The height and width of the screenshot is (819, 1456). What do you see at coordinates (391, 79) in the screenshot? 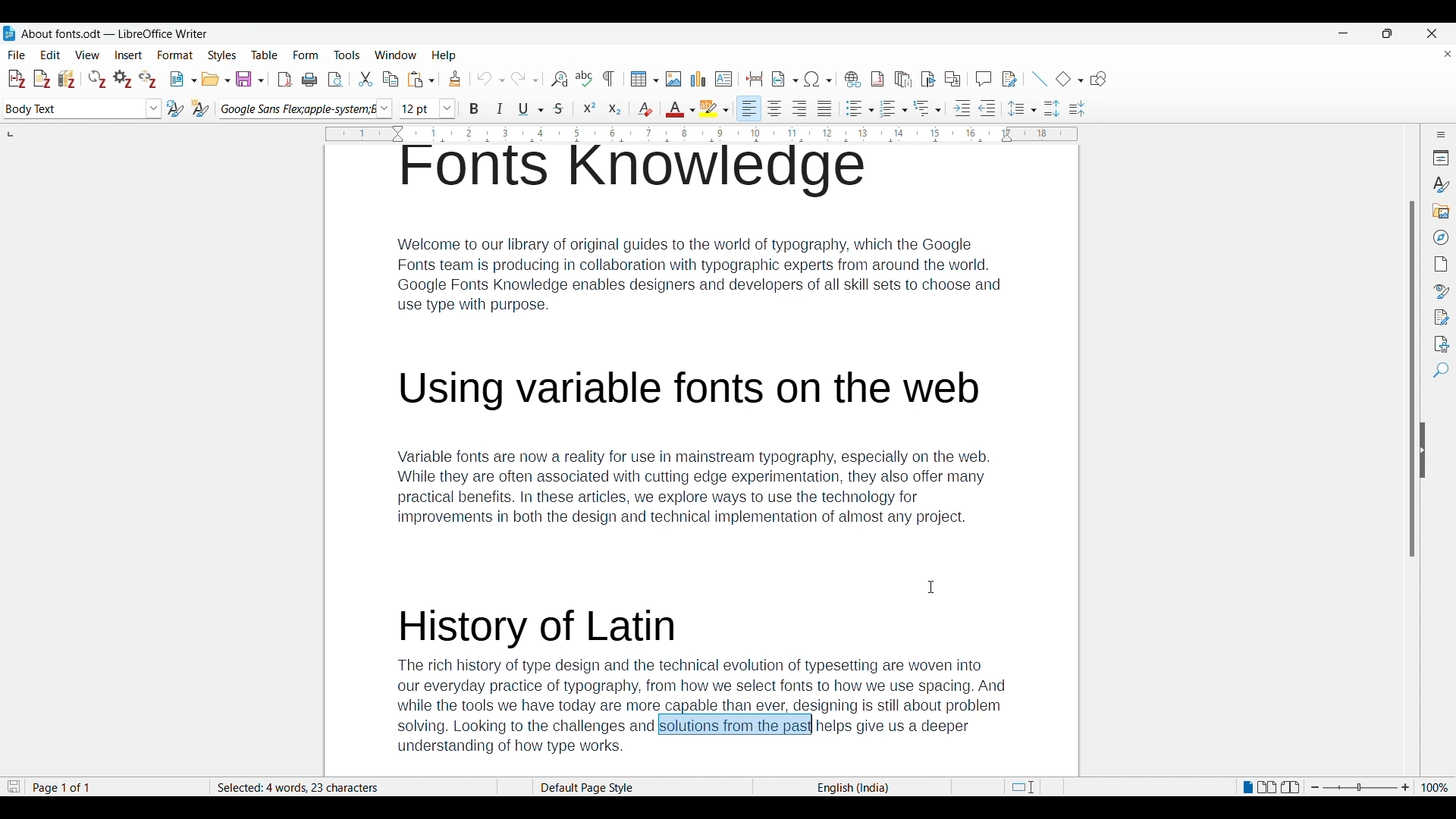
I see `Copy` at bounding box center [391, 79].